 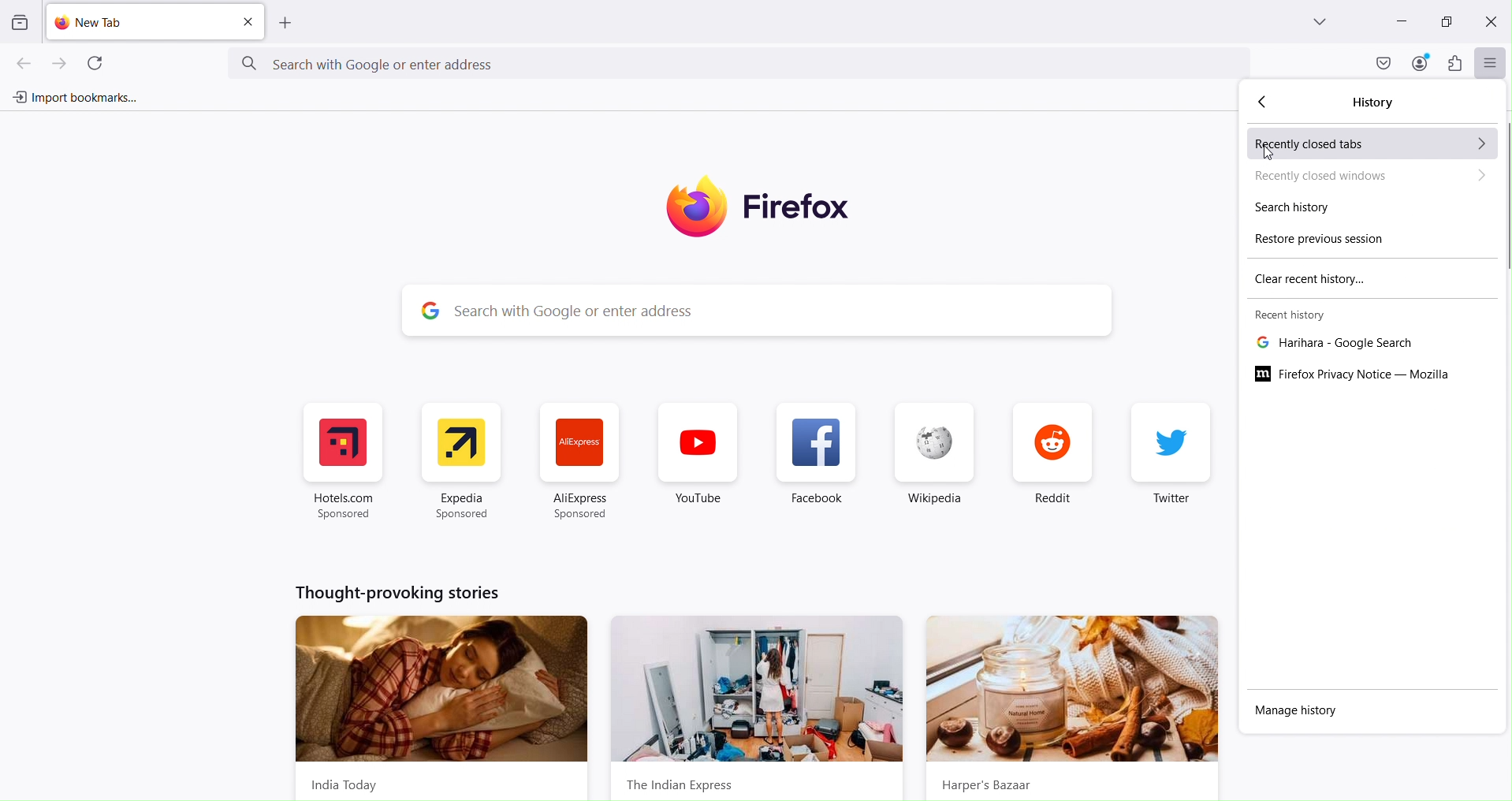 What do you see at coordinates (760, 709) in the screenshot?
I see `the Indian express` at bounding box center [760, 709].